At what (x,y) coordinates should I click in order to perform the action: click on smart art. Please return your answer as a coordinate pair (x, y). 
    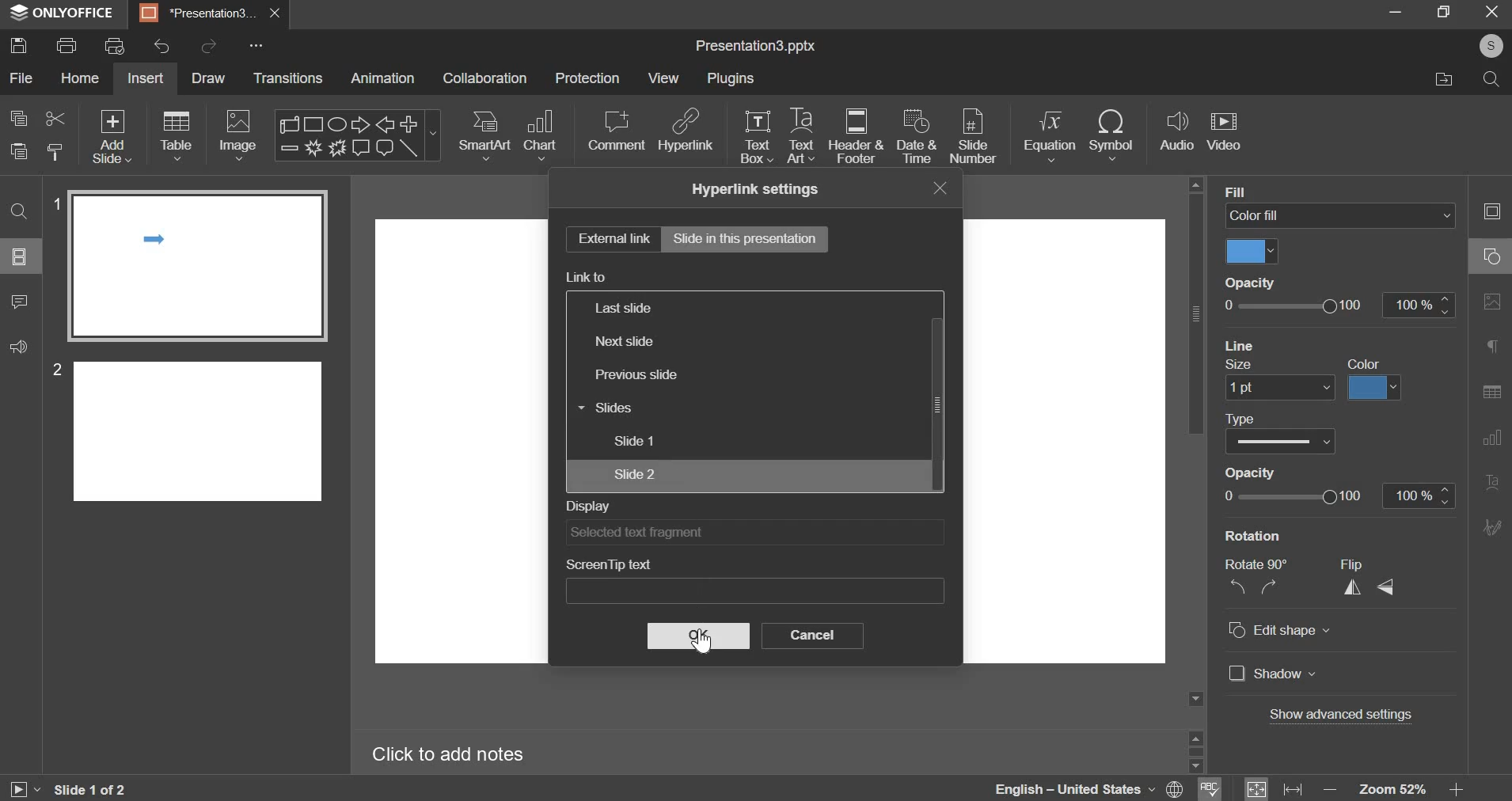
    Looking at the image, I should click on (486, 135).